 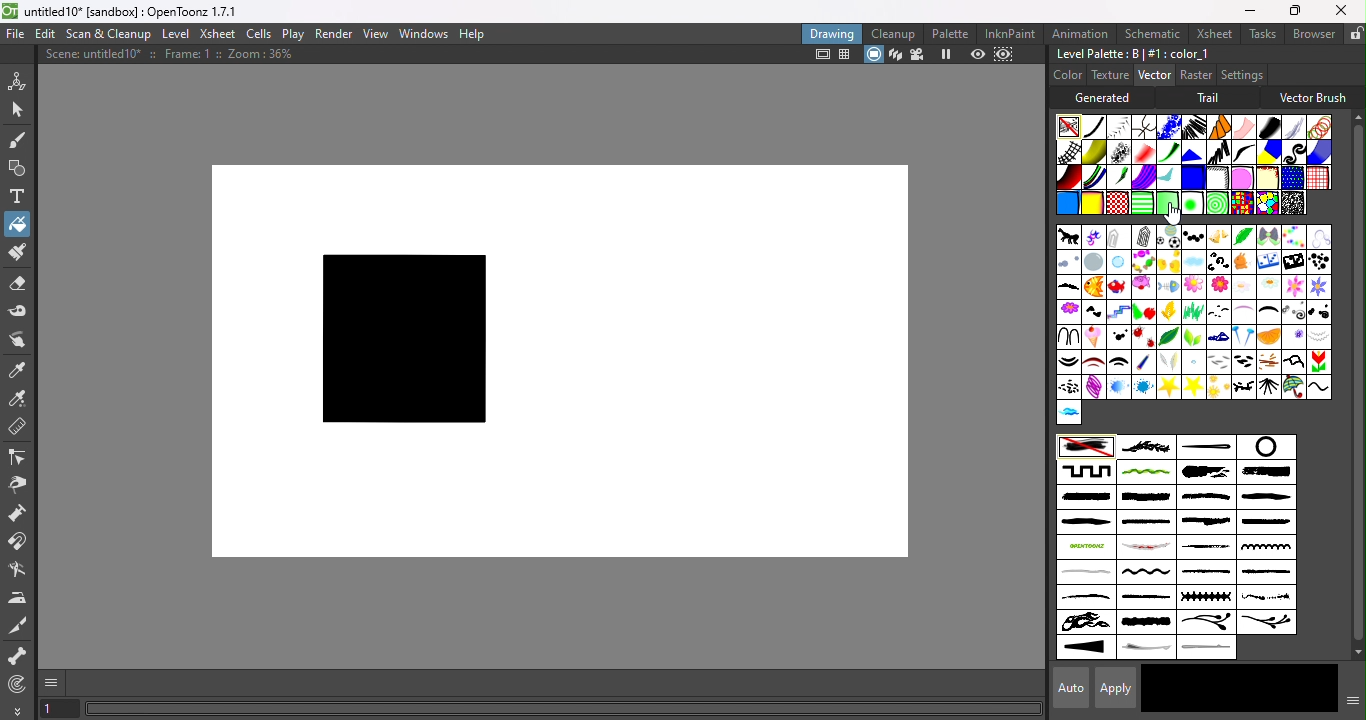 What do you see at coordinates (1142, 311) in the screenshot?
I see `fruit` at bounding box center [1142, 311].